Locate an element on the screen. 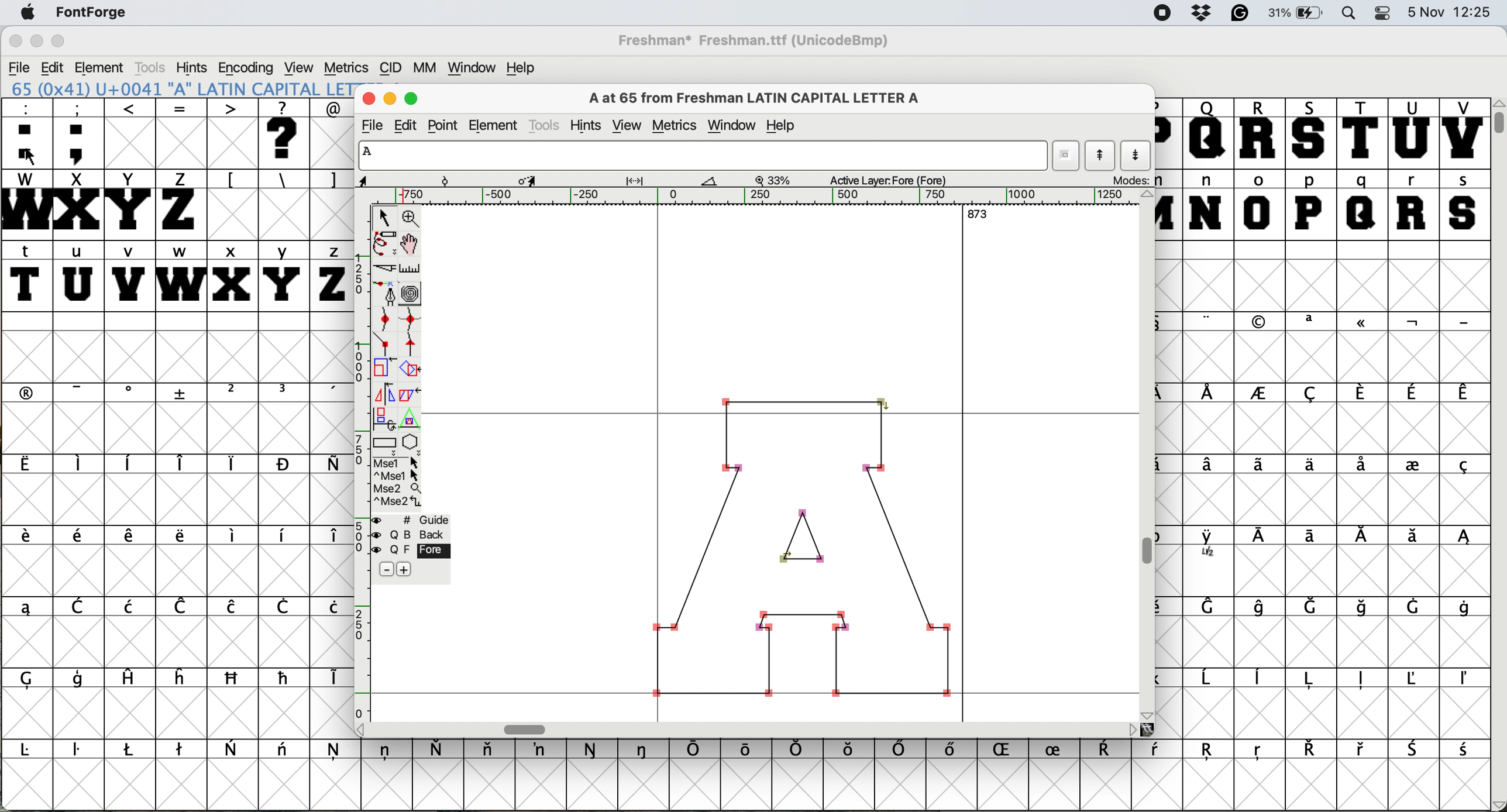  ^Mse is located at coordinates (396, 476).